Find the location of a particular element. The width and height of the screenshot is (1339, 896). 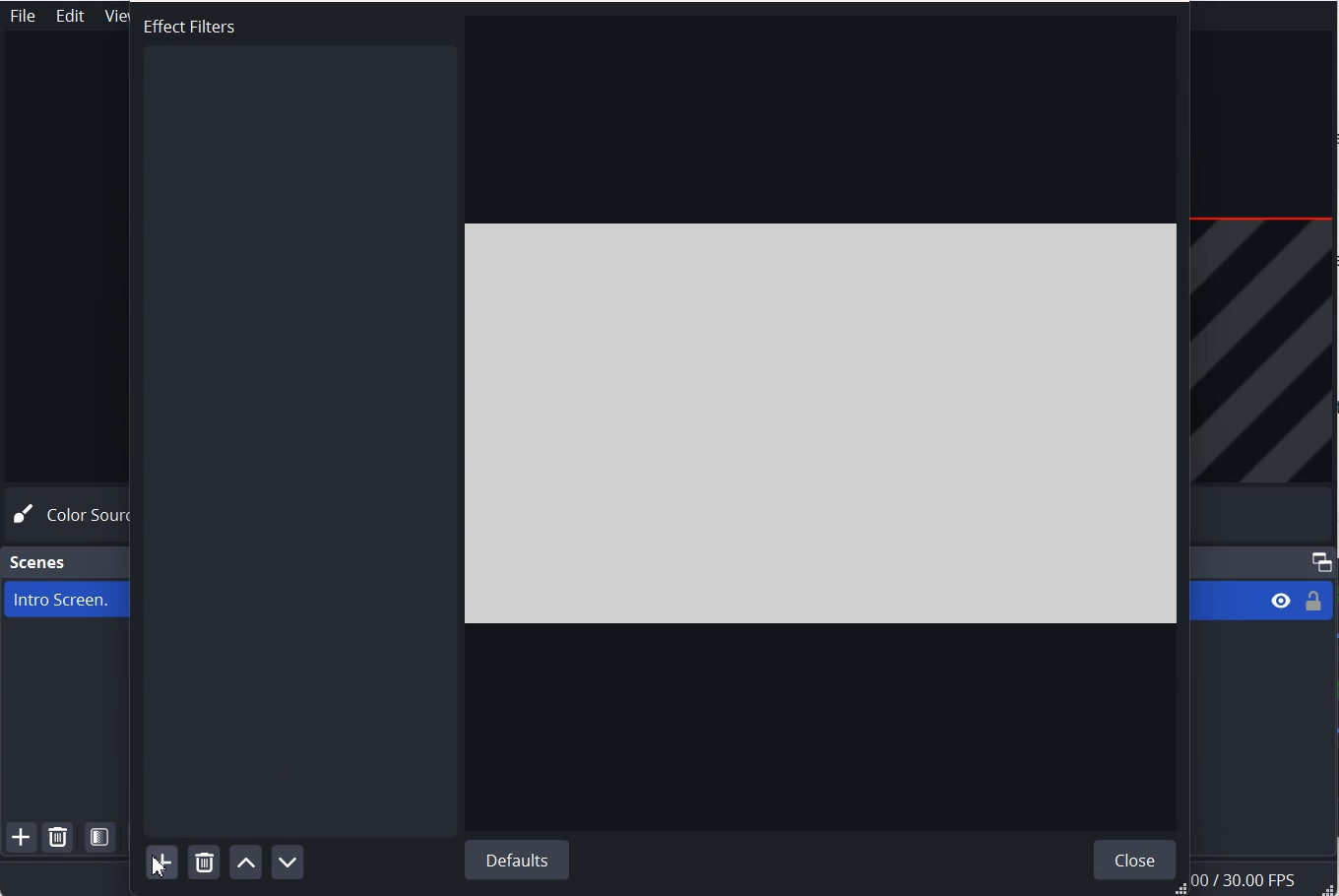

Scene is located at coordinates (39, 562).